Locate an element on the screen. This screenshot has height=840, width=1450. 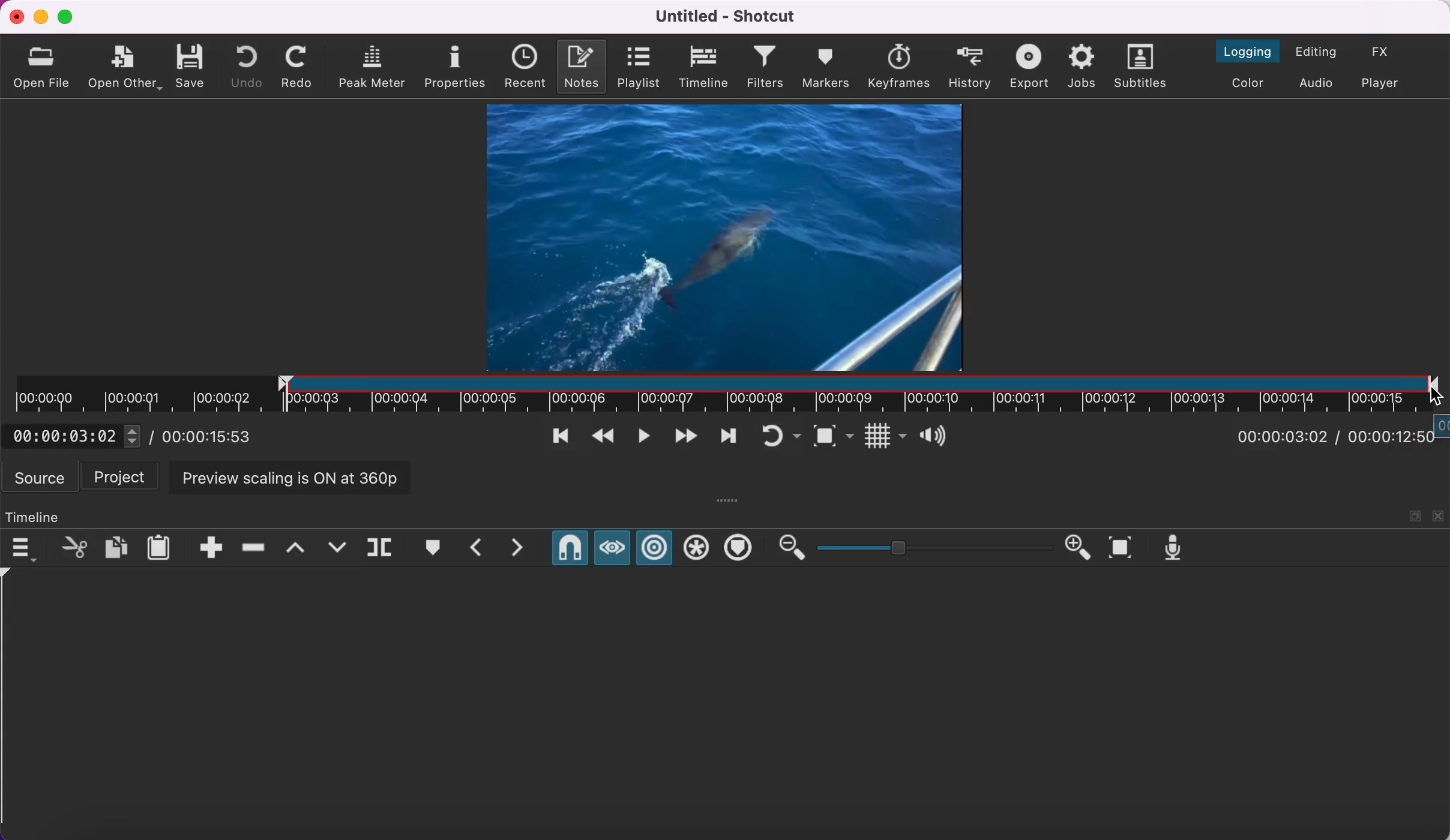
ripple delete is located at coordinates (252, 548).